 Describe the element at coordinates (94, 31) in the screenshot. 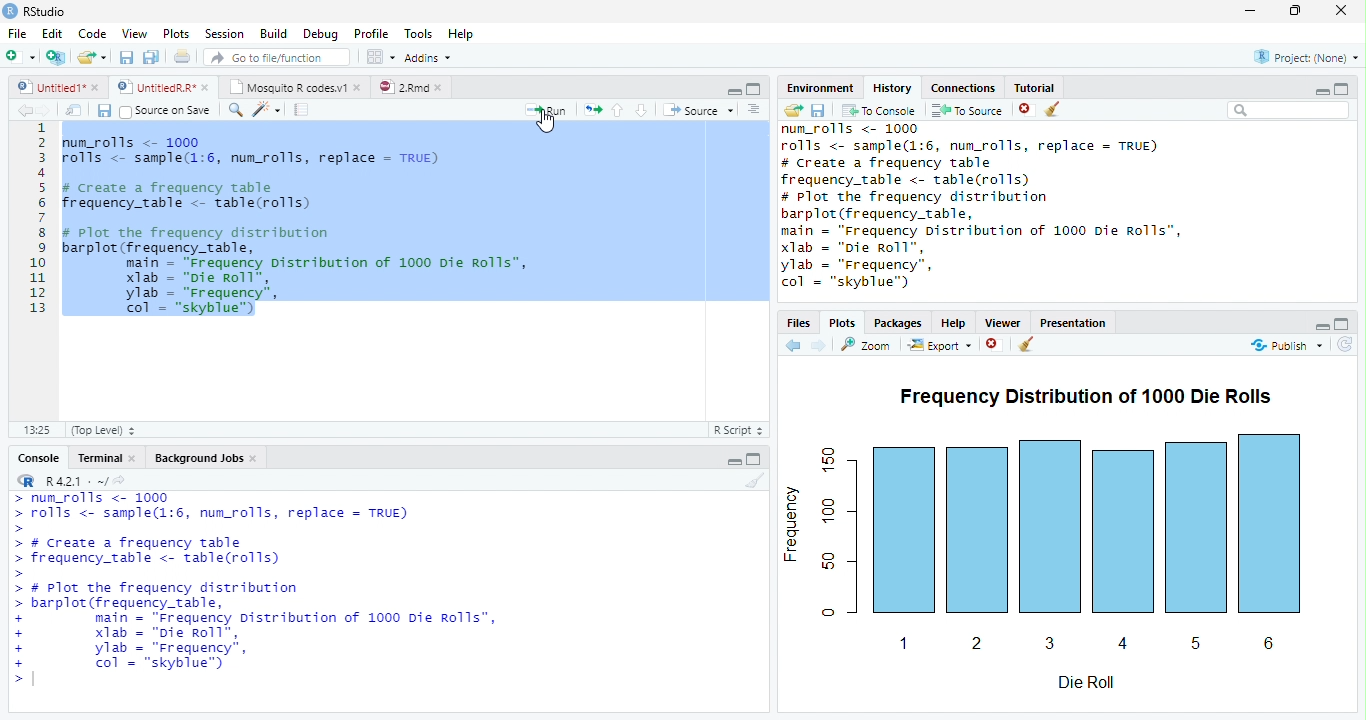

I see `Code` at that location.